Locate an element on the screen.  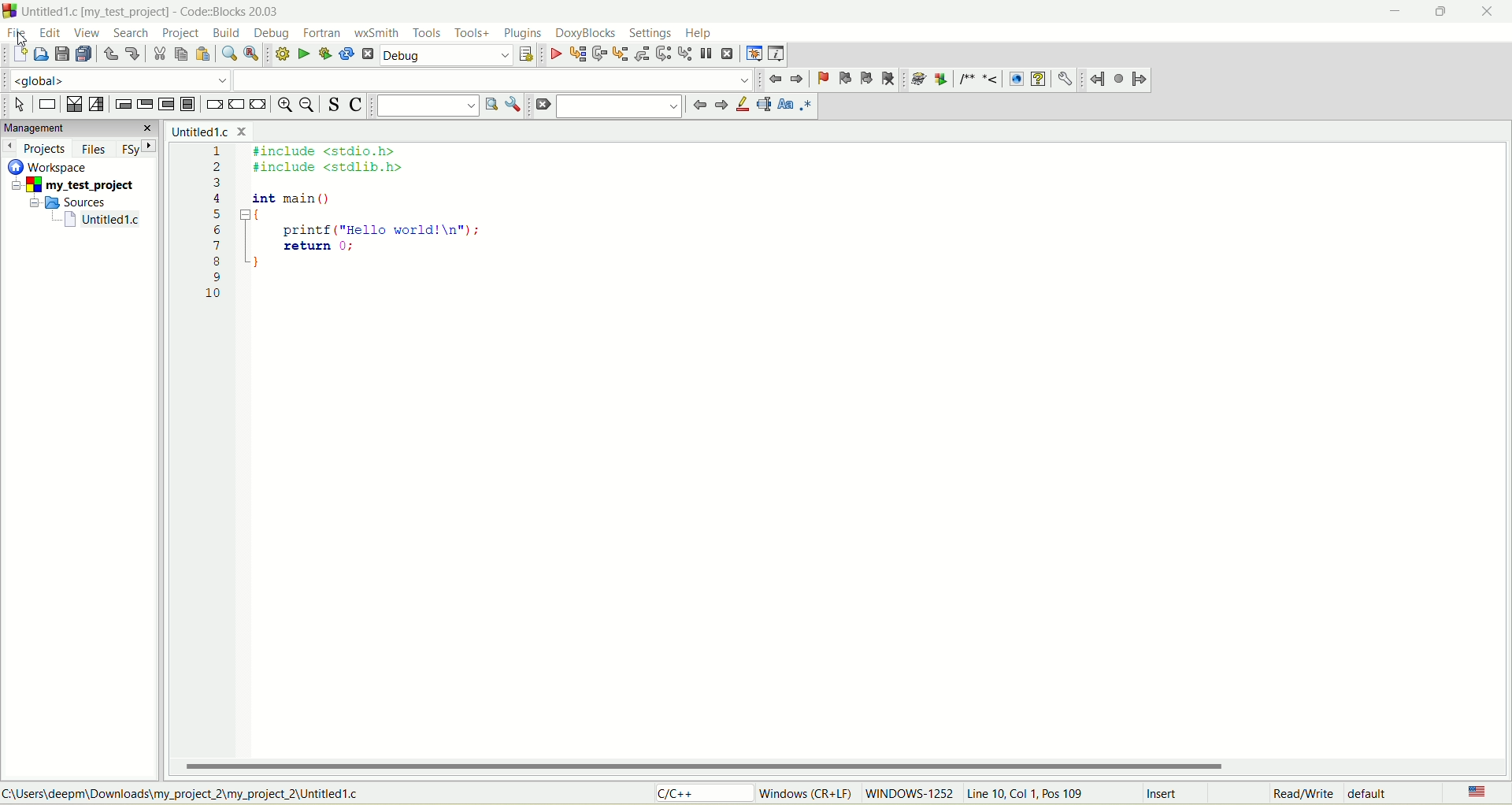
selected text is located at coordinates (764, 106).